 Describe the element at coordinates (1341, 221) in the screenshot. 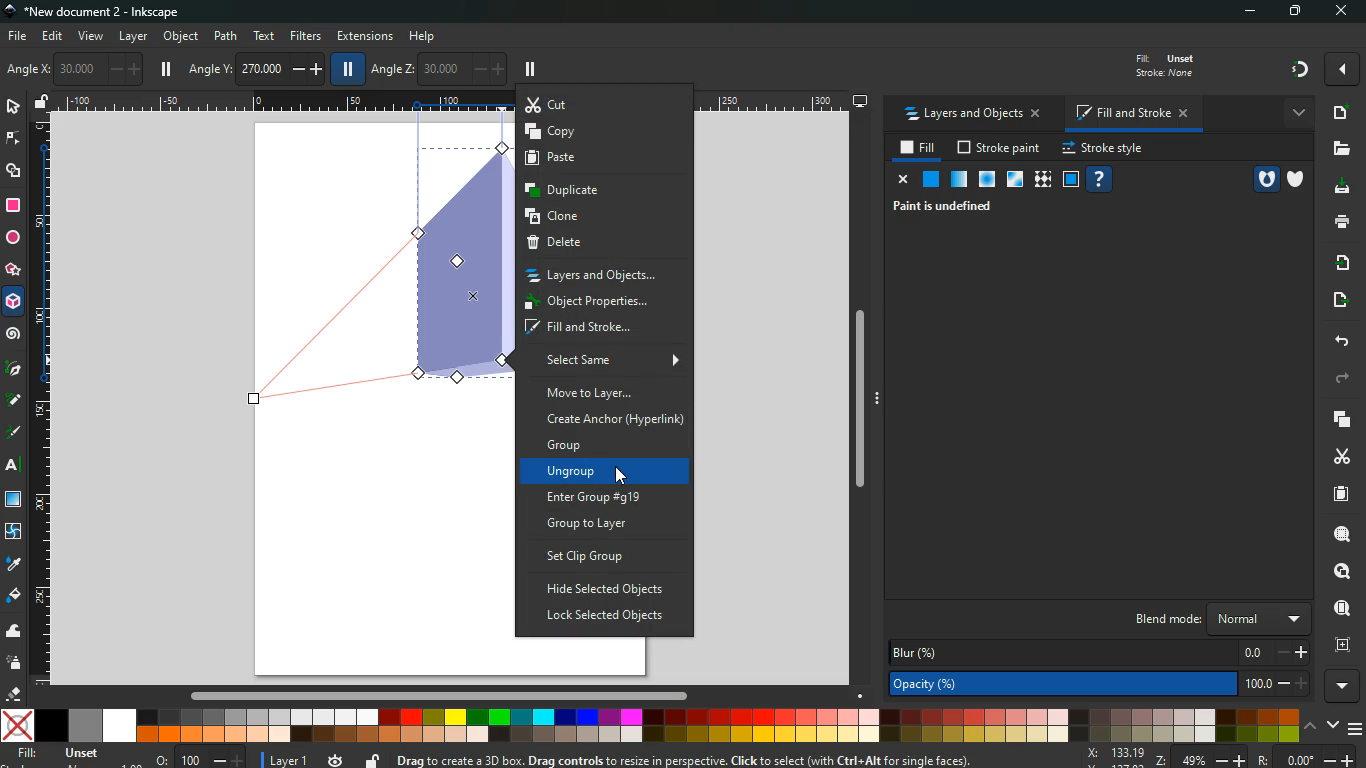

I see `print` at that location.